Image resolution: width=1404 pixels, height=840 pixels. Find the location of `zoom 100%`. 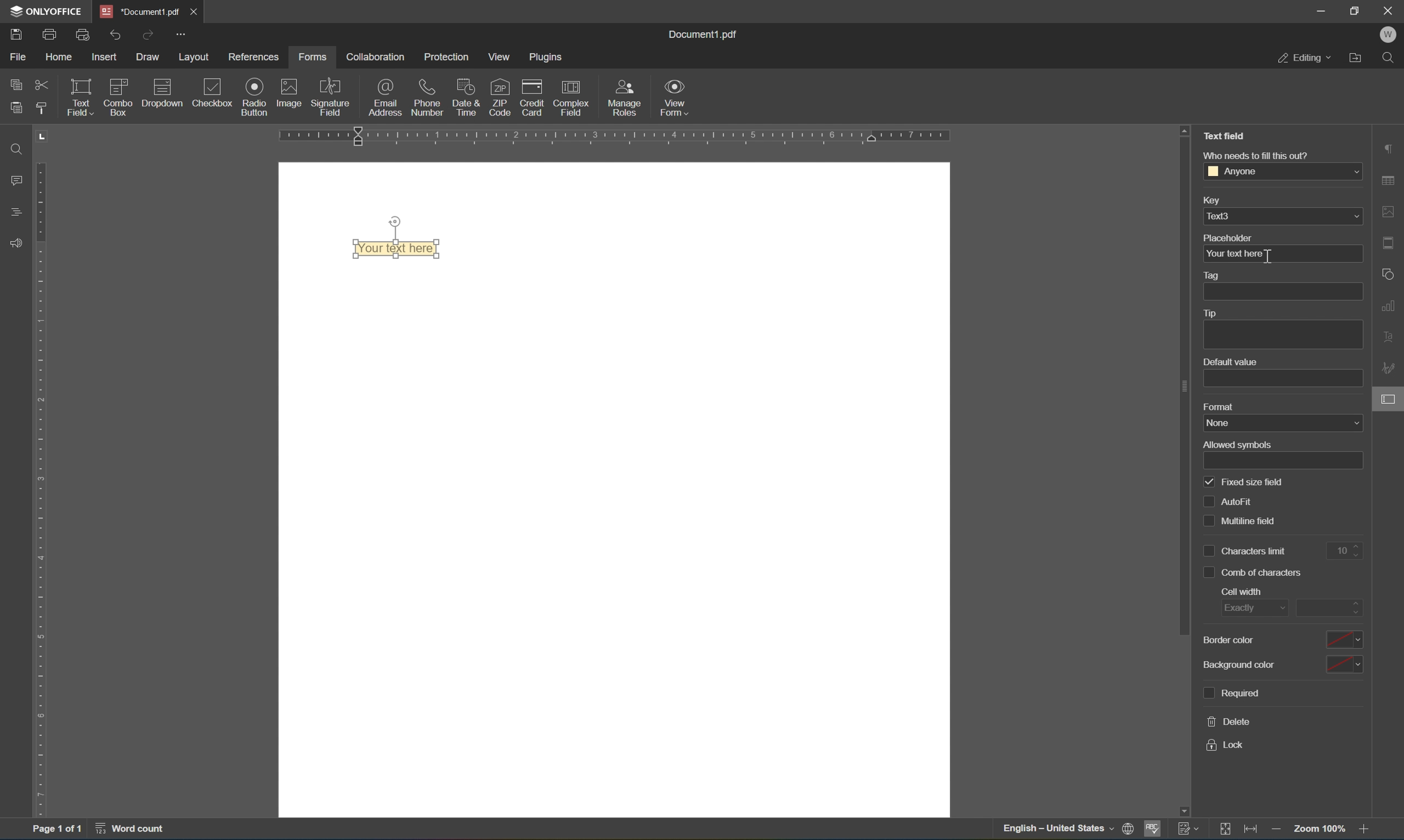

zoom 100% is located at coordinates (1320, 829).